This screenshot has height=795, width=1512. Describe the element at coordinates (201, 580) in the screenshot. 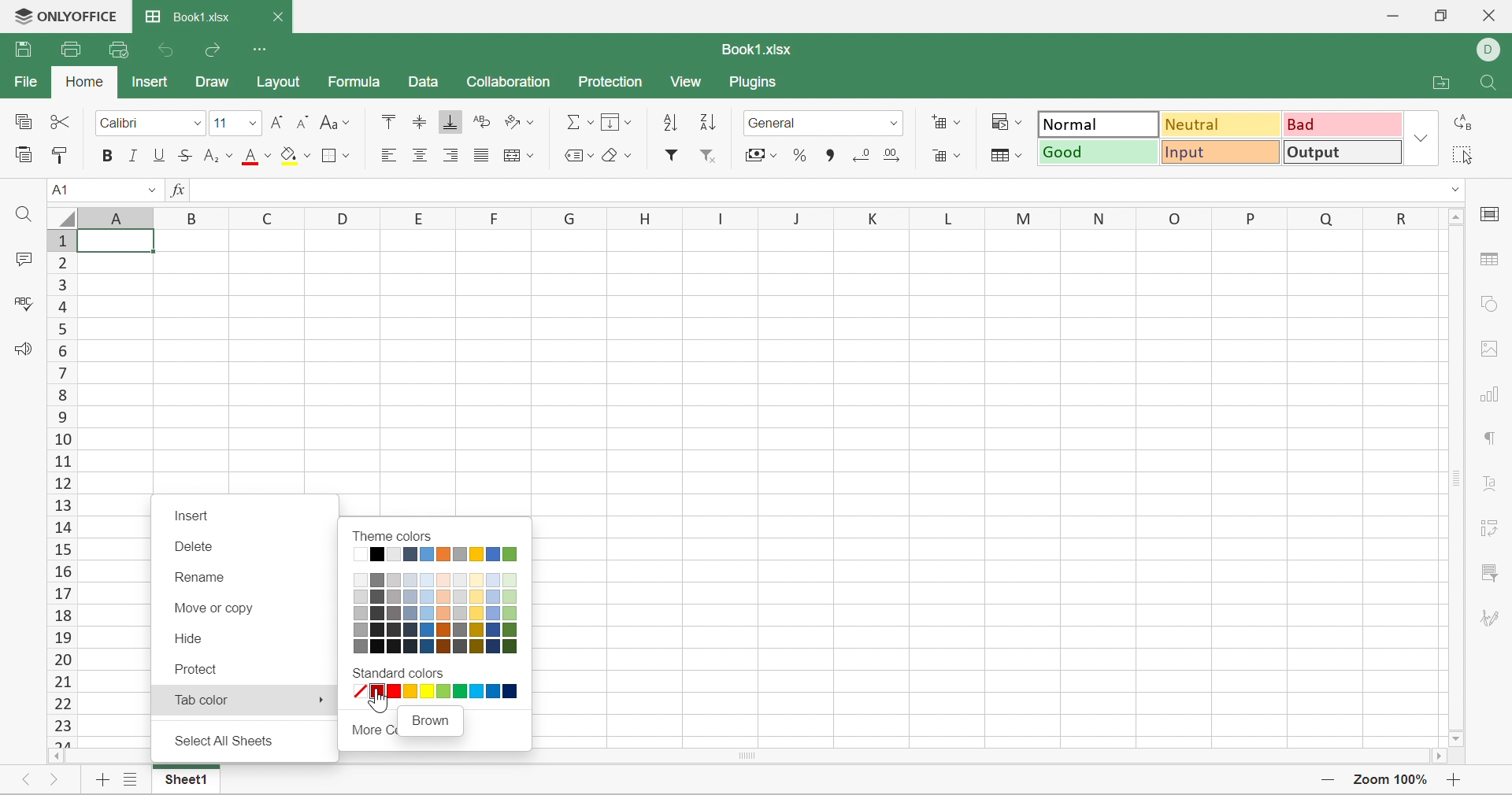

I see `Rename` at that location.